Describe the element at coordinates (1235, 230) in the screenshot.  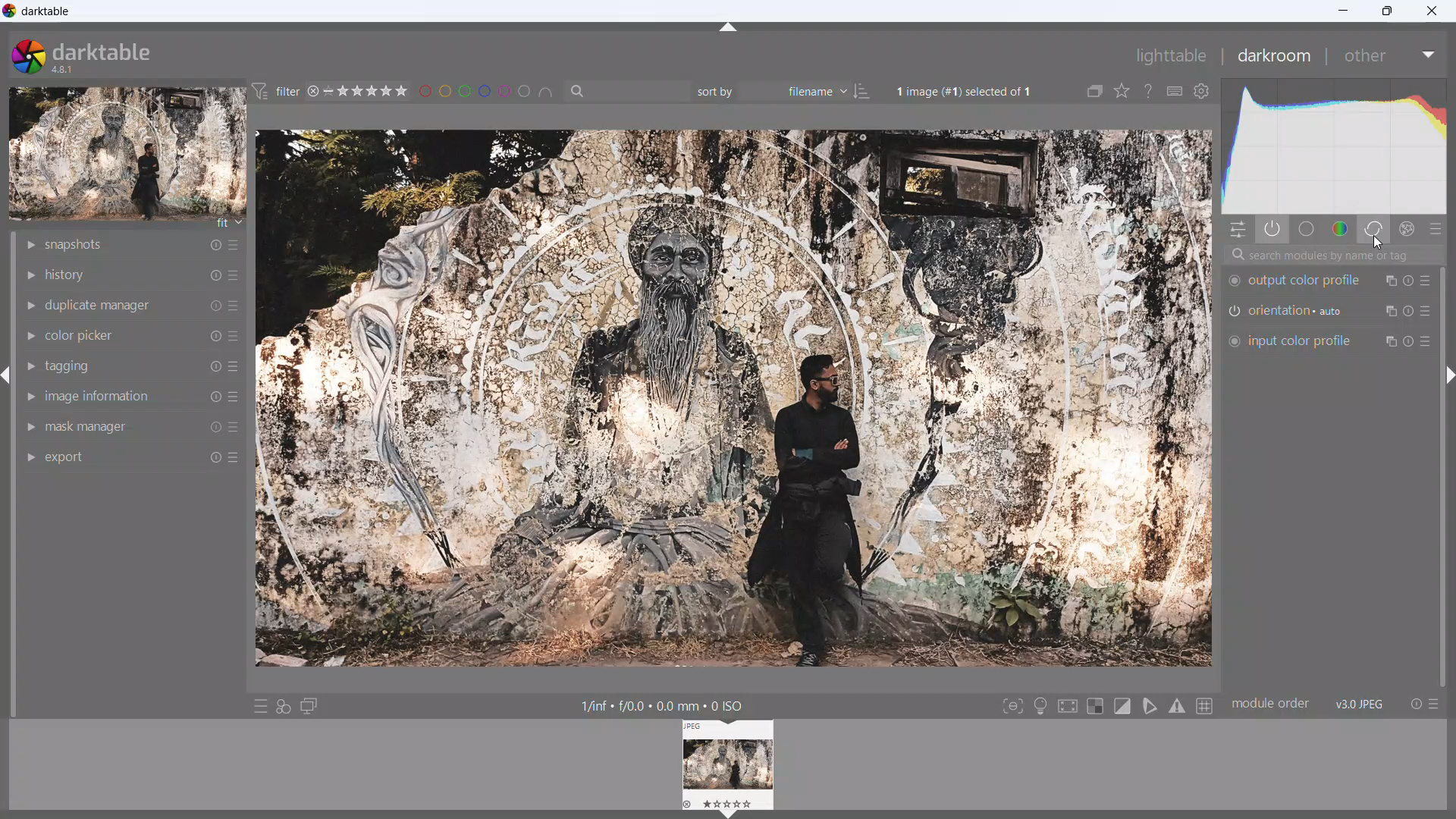
I see `quick actions panel` at that location.